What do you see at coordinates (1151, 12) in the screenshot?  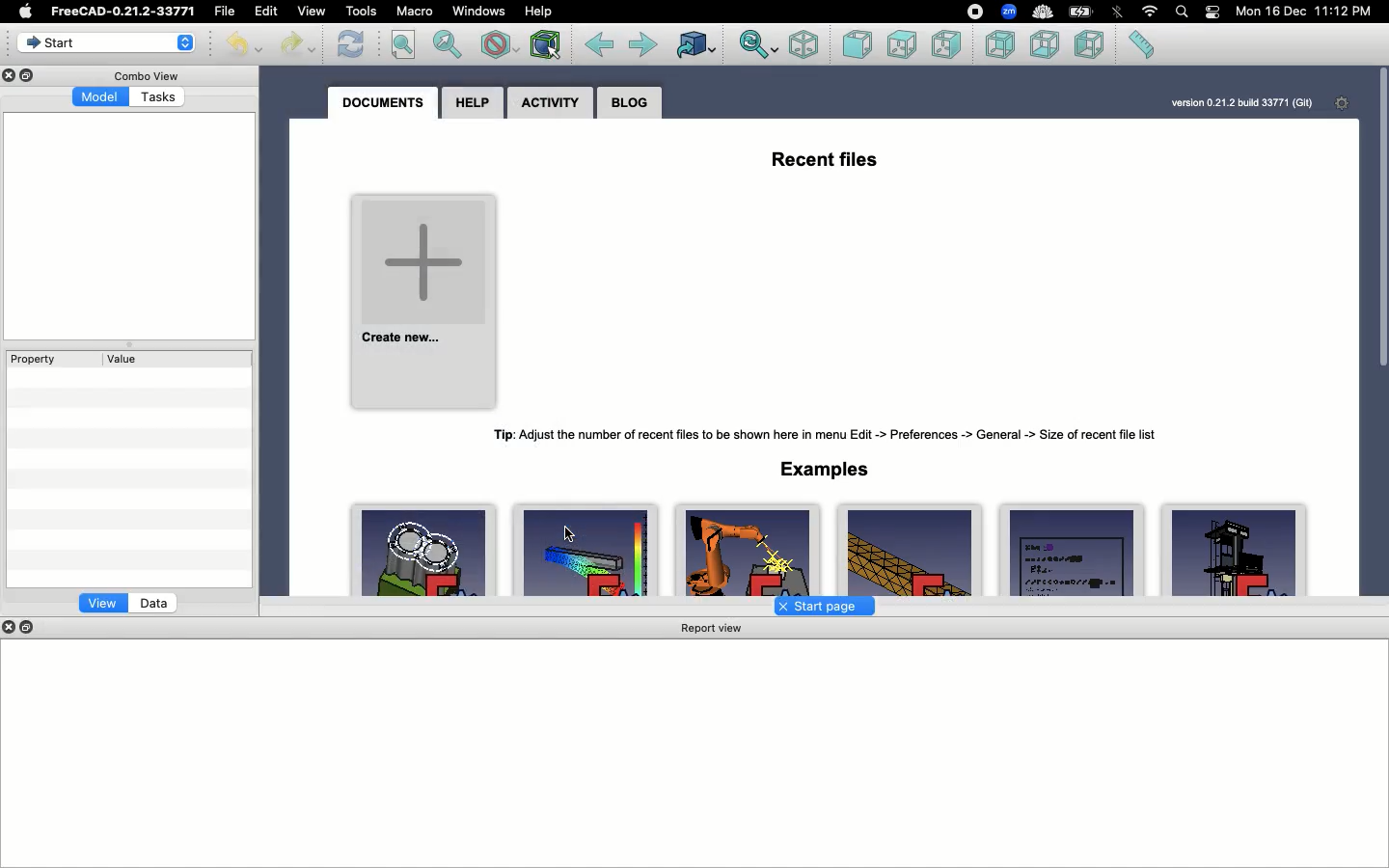 I see `Internet` at bounding box center [1151, 12].